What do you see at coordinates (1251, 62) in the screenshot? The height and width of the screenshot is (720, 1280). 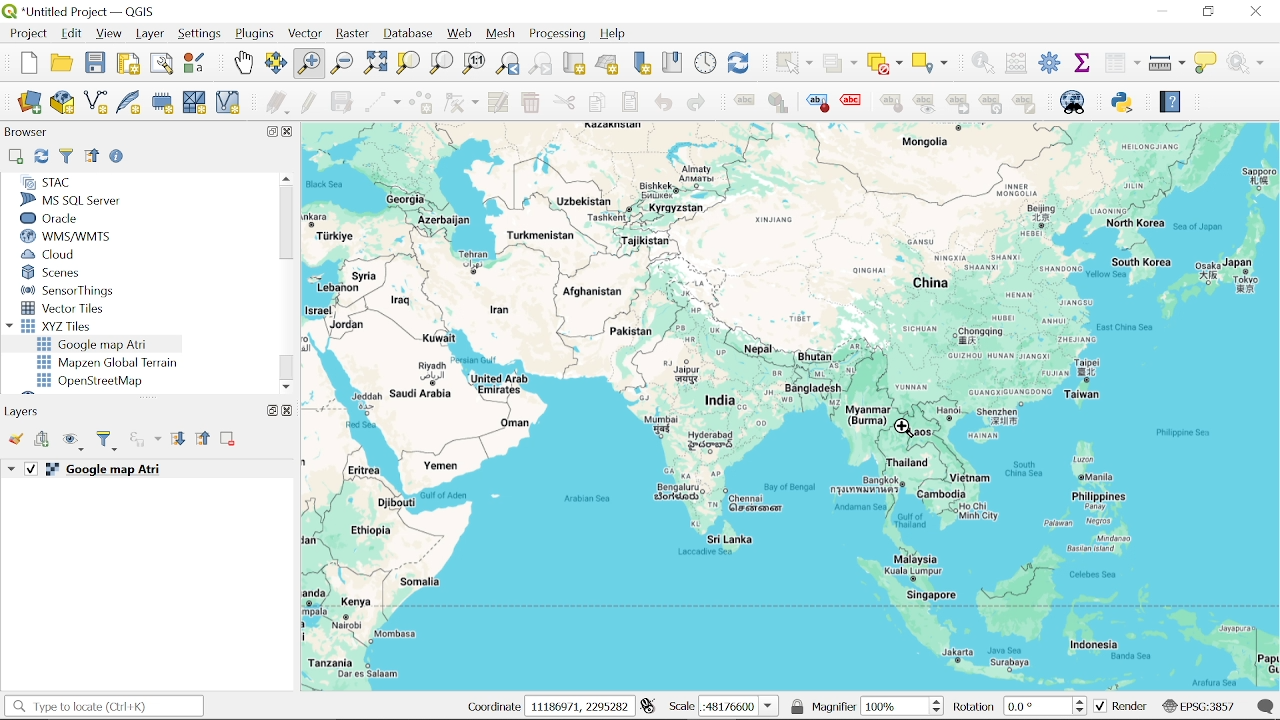 I see `Run feature action` at bounding box center [1251, 62].